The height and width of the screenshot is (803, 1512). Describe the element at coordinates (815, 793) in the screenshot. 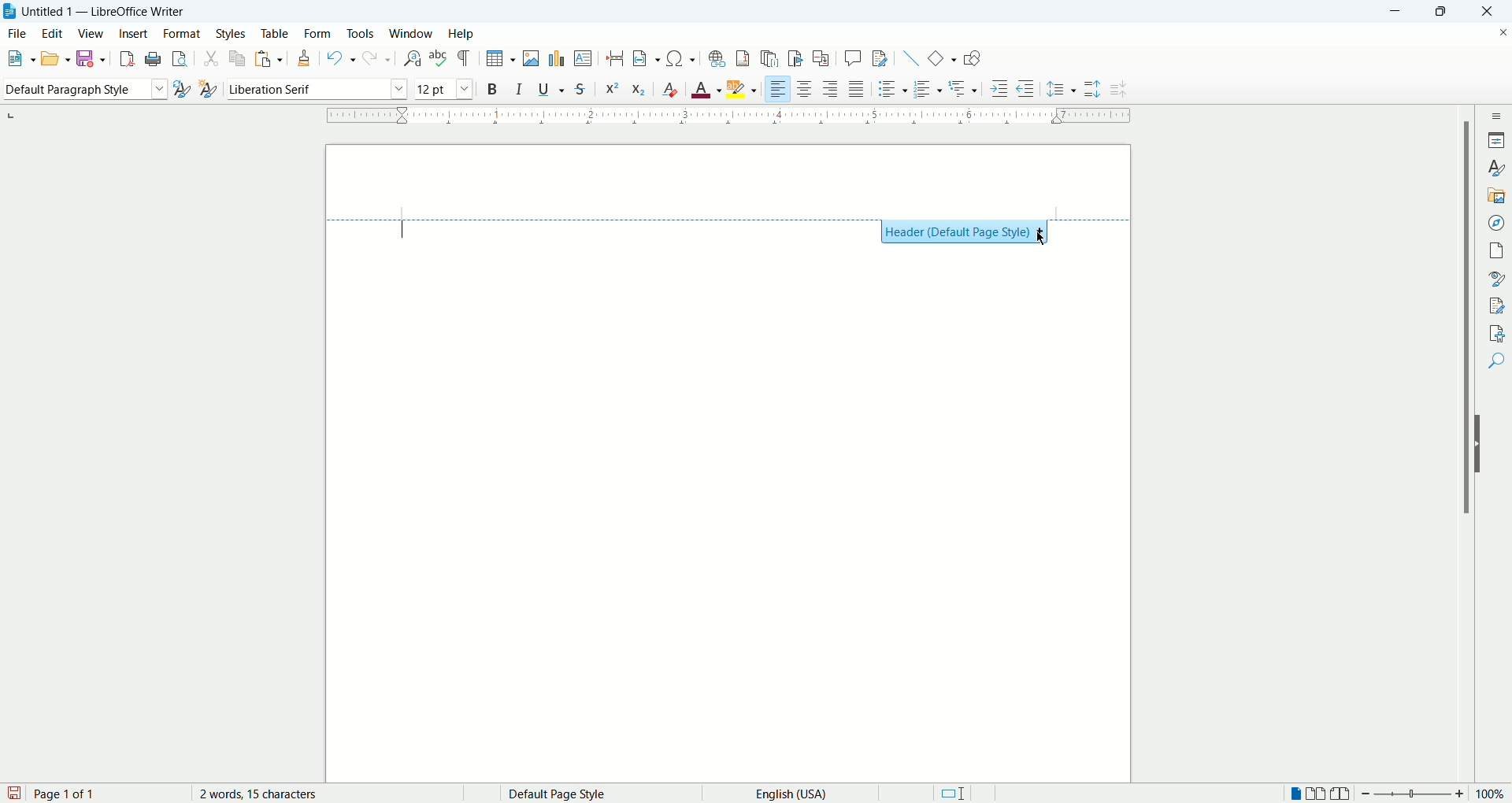

I see `text language` at that location.